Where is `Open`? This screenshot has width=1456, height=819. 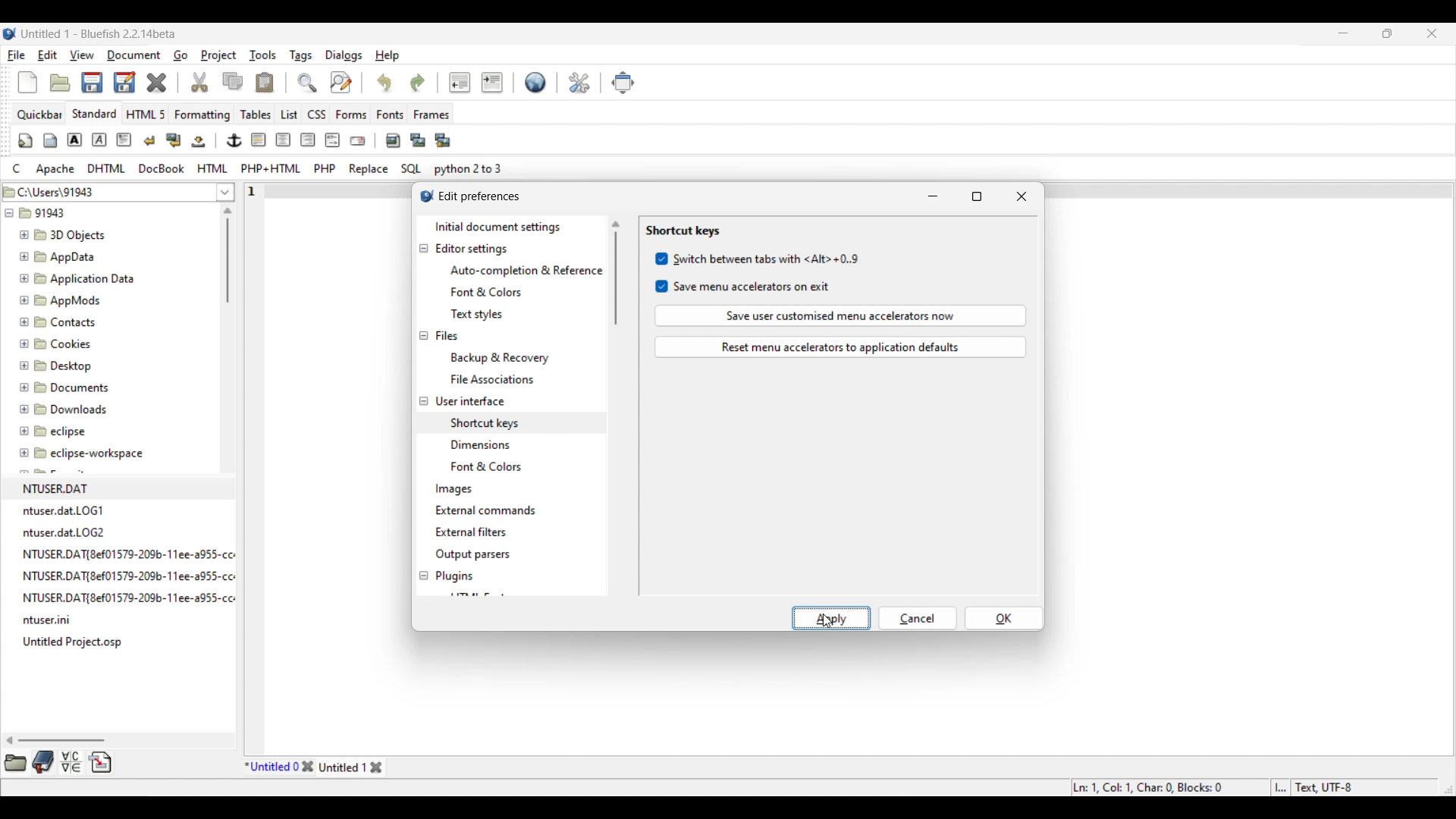
Open is located at coordinates (60, 83).